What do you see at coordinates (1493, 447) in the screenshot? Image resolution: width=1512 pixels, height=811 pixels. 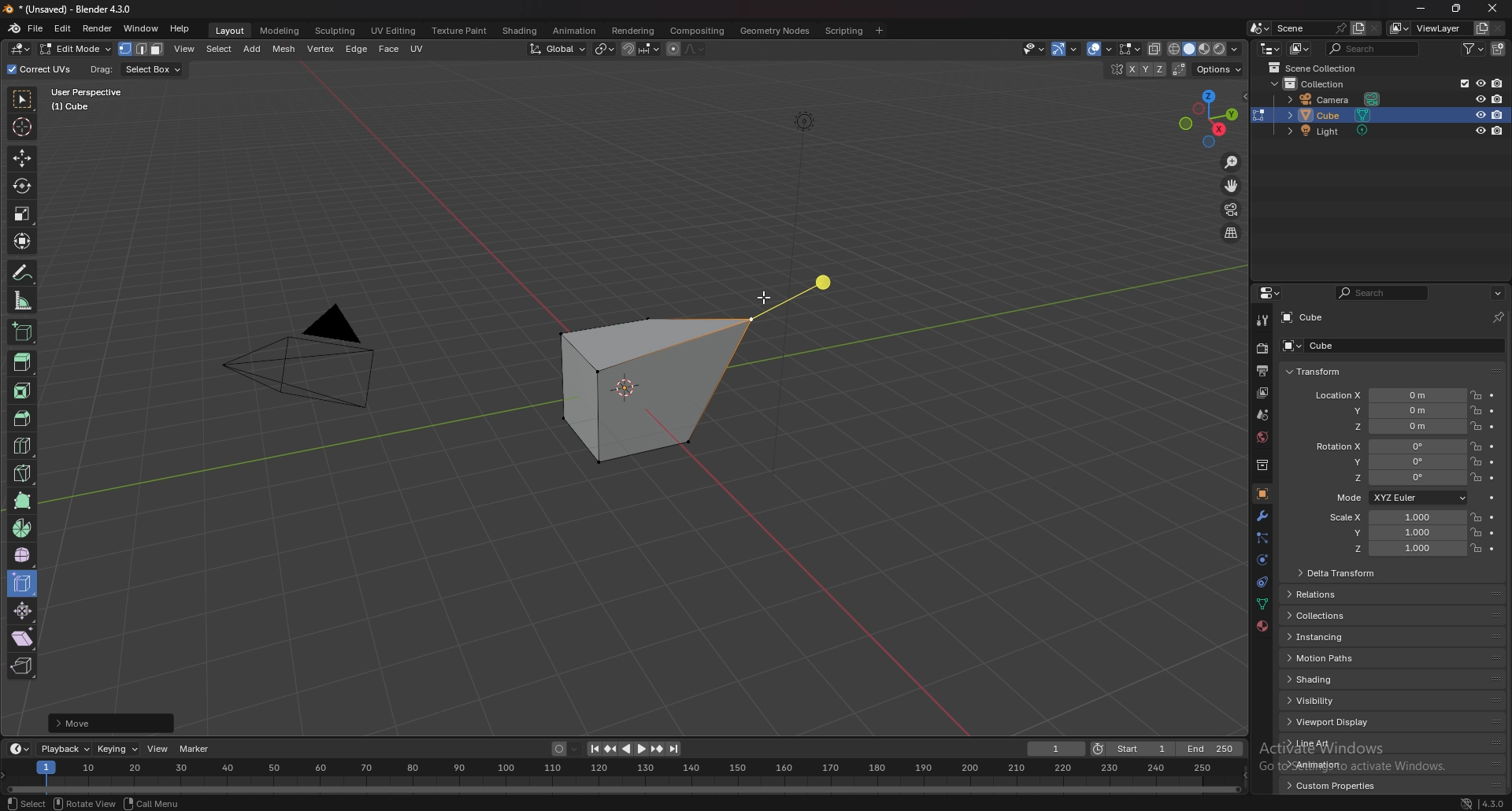 I see `animate property` at bounding box center [1493, 447].